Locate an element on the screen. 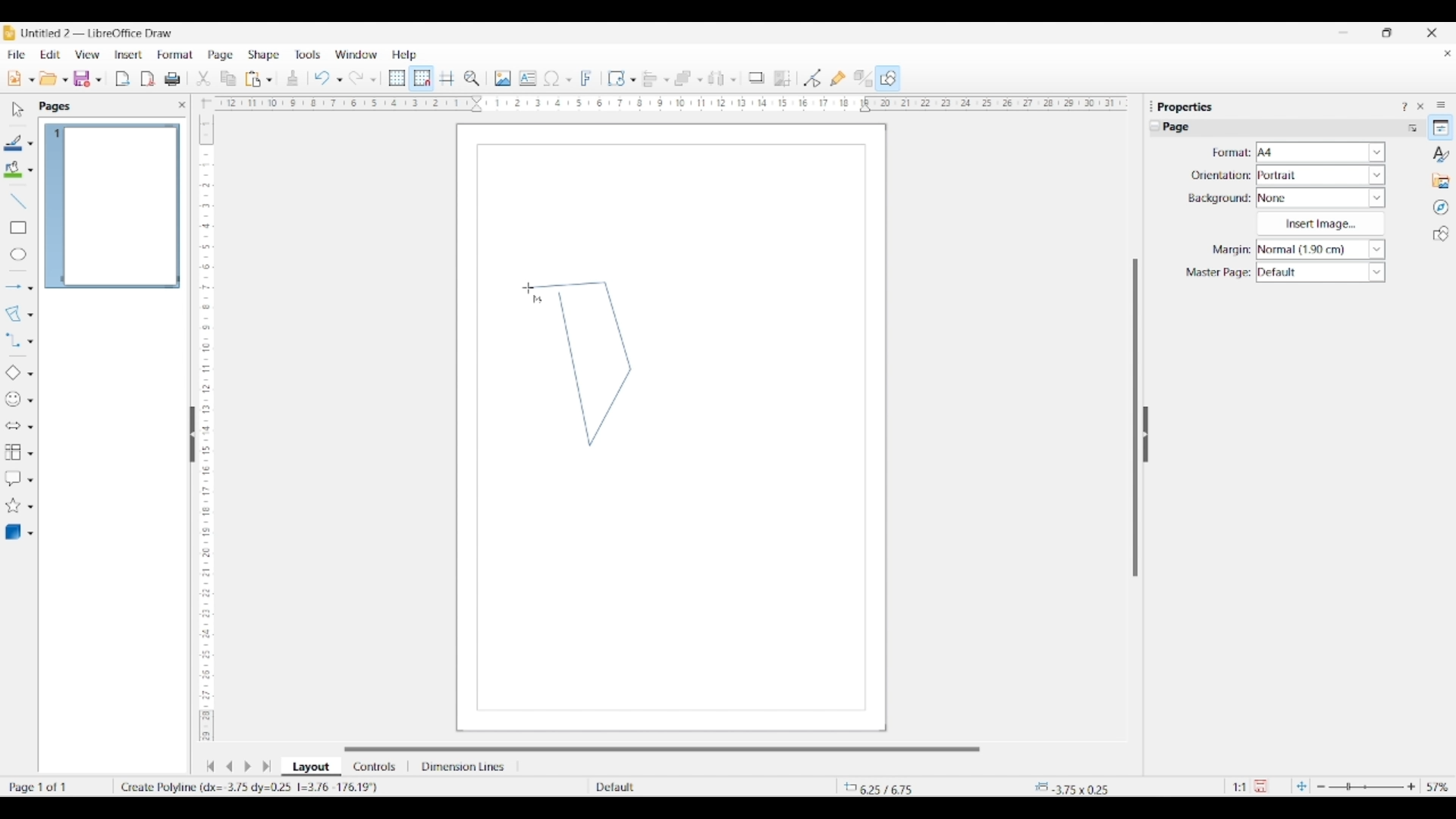 The width and height of the screenshot is (1456, 819). Transformations option is located at coordinates (632, 80).